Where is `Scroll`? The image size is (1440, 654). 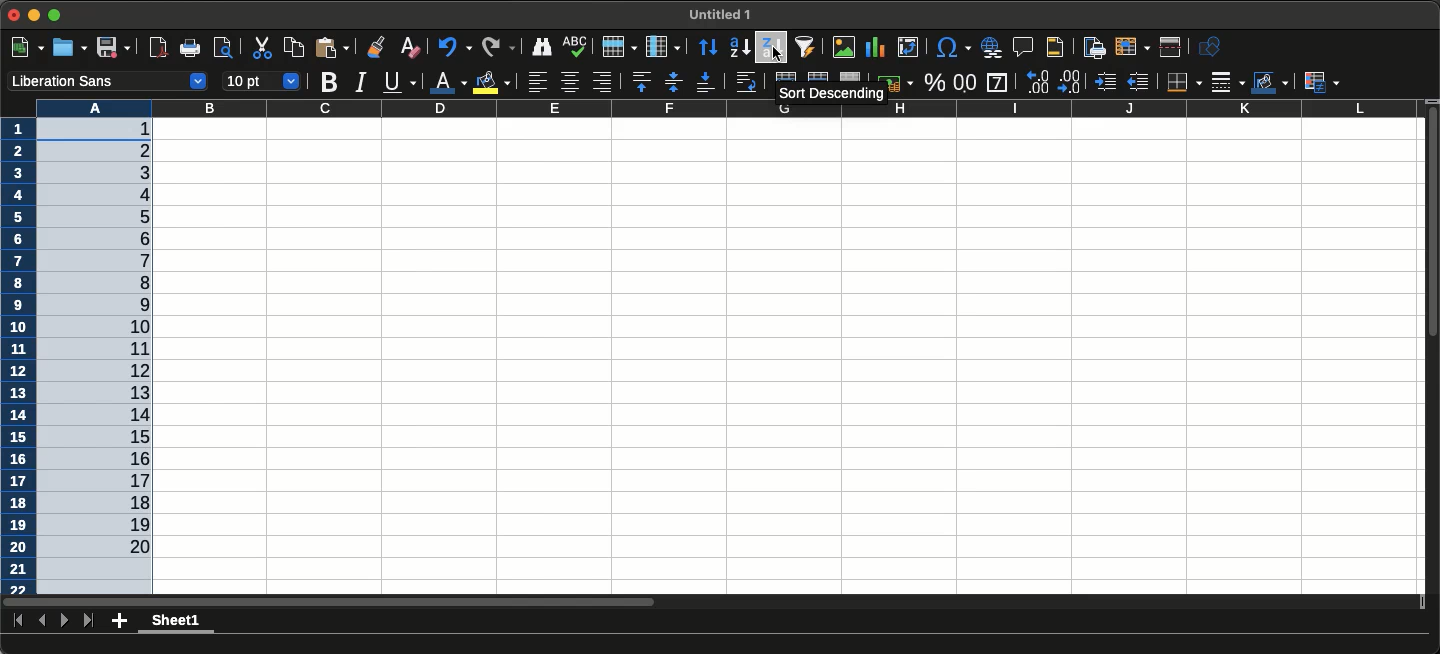
Scroll is located at coordinates (1431, 223).